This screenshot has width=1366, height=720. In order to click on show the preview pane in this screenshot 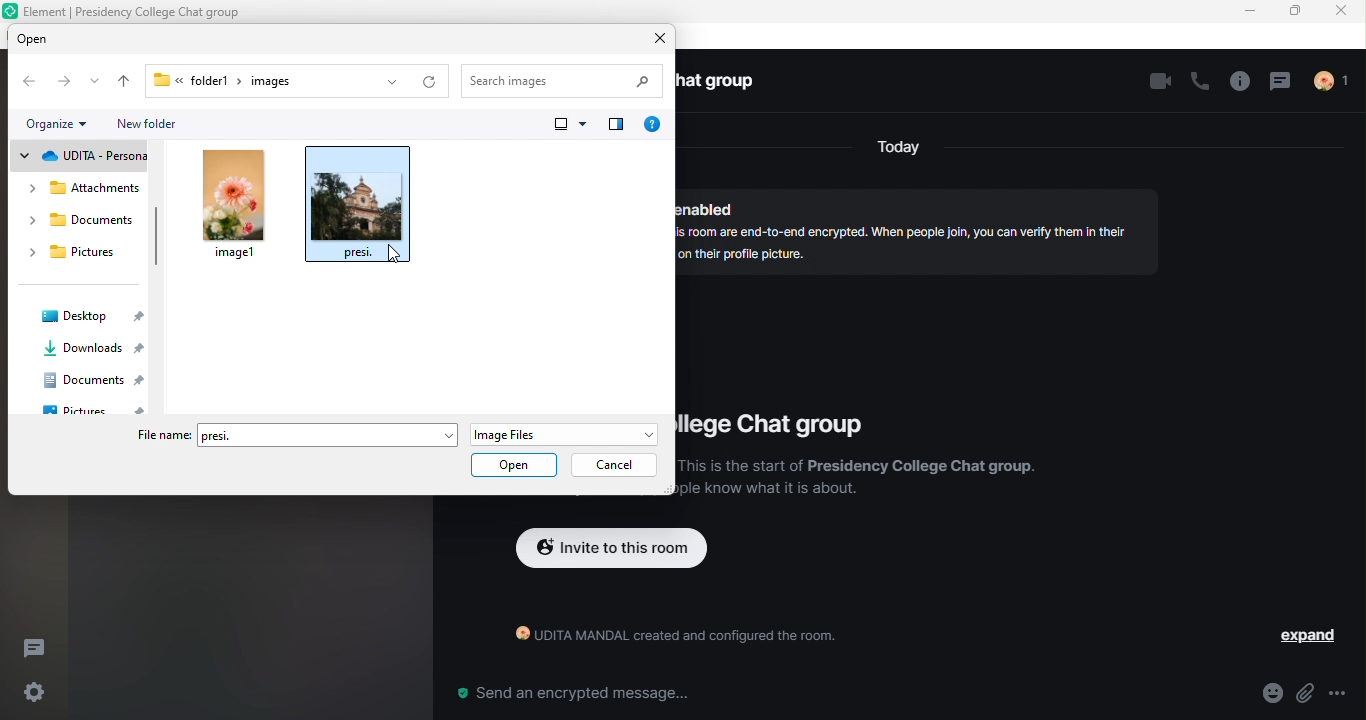, I will do `click(616, 127)`.